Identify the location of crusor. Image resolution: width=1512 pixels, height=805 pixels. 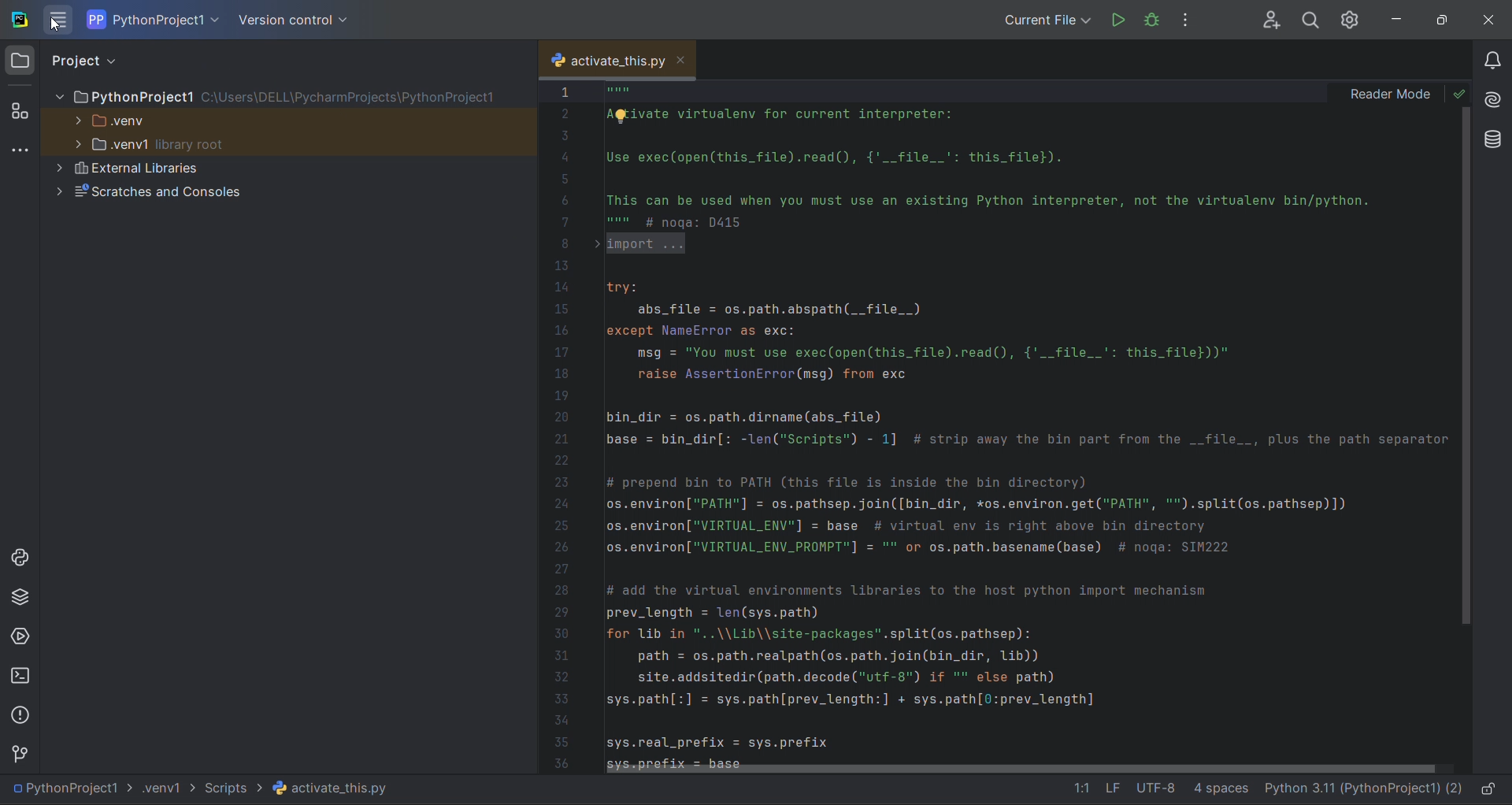
(58, 26).